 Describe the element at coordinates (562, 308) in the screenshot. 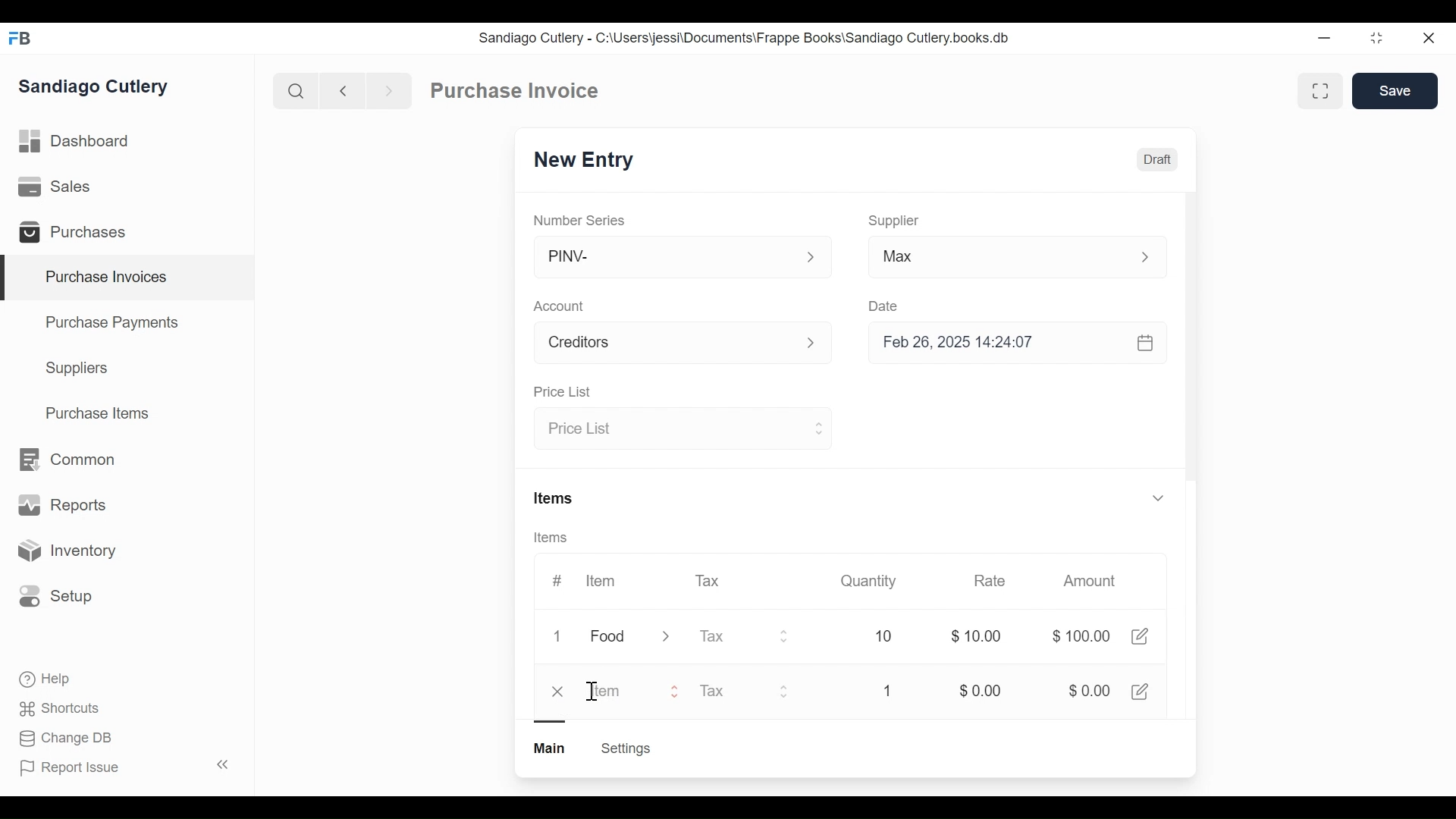

I see `Account` at that location.